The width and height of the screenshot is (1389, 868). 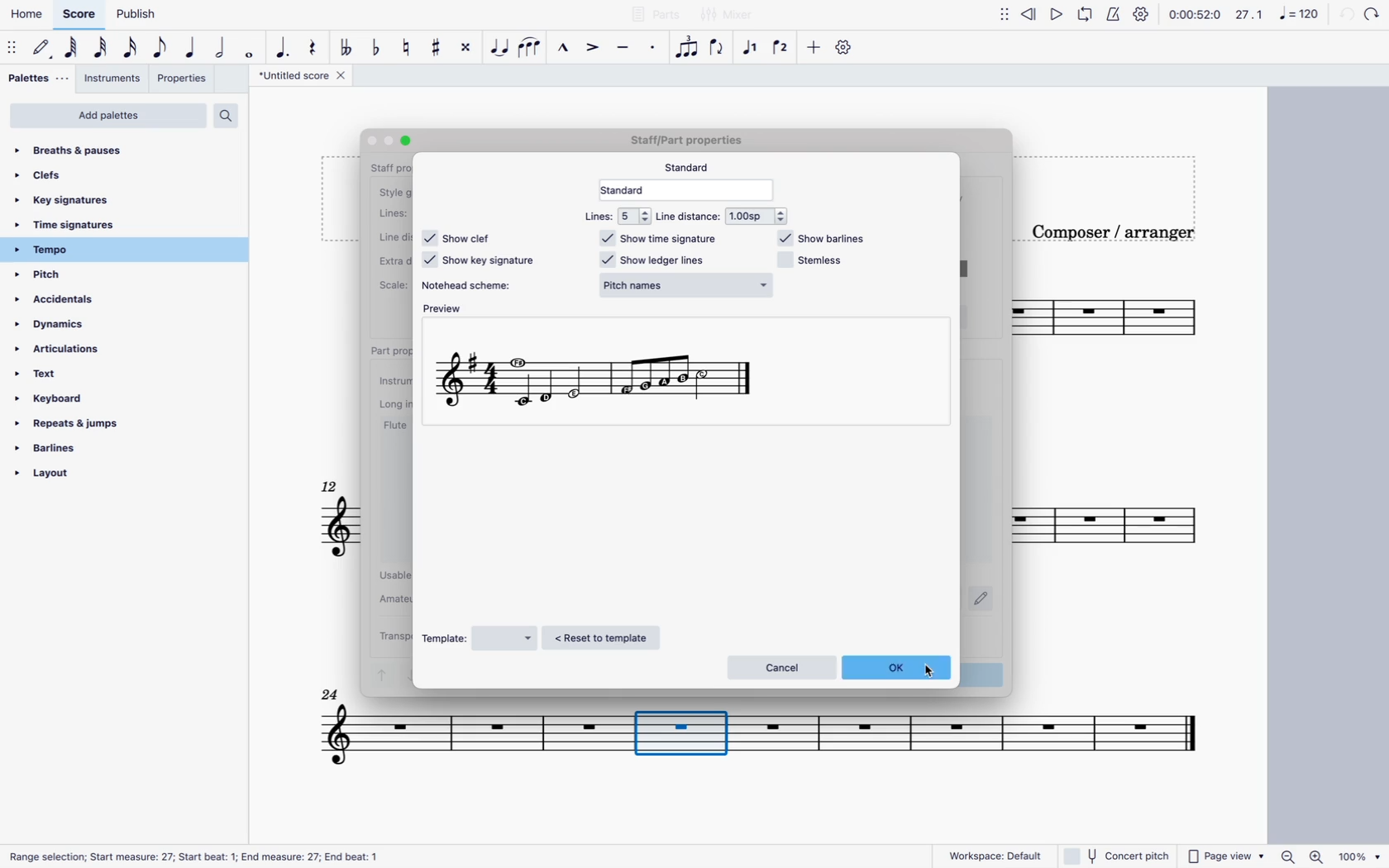 I want to click on key signatures, so click(x=65, y=202).